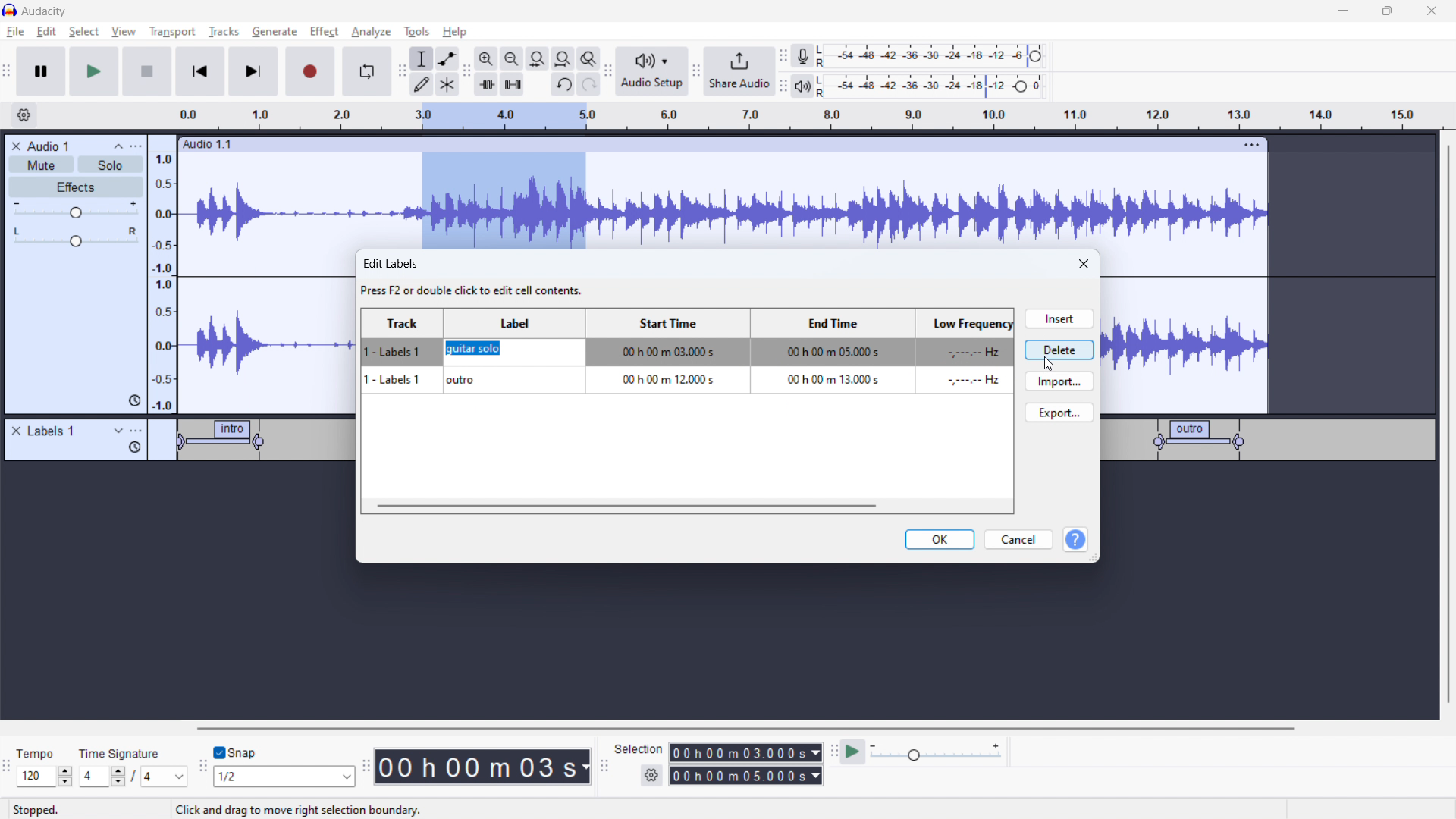  What do you see at coordinates (1342, 11) in the screenshot?
I see `minimize` at bounding box center [1342, 11].